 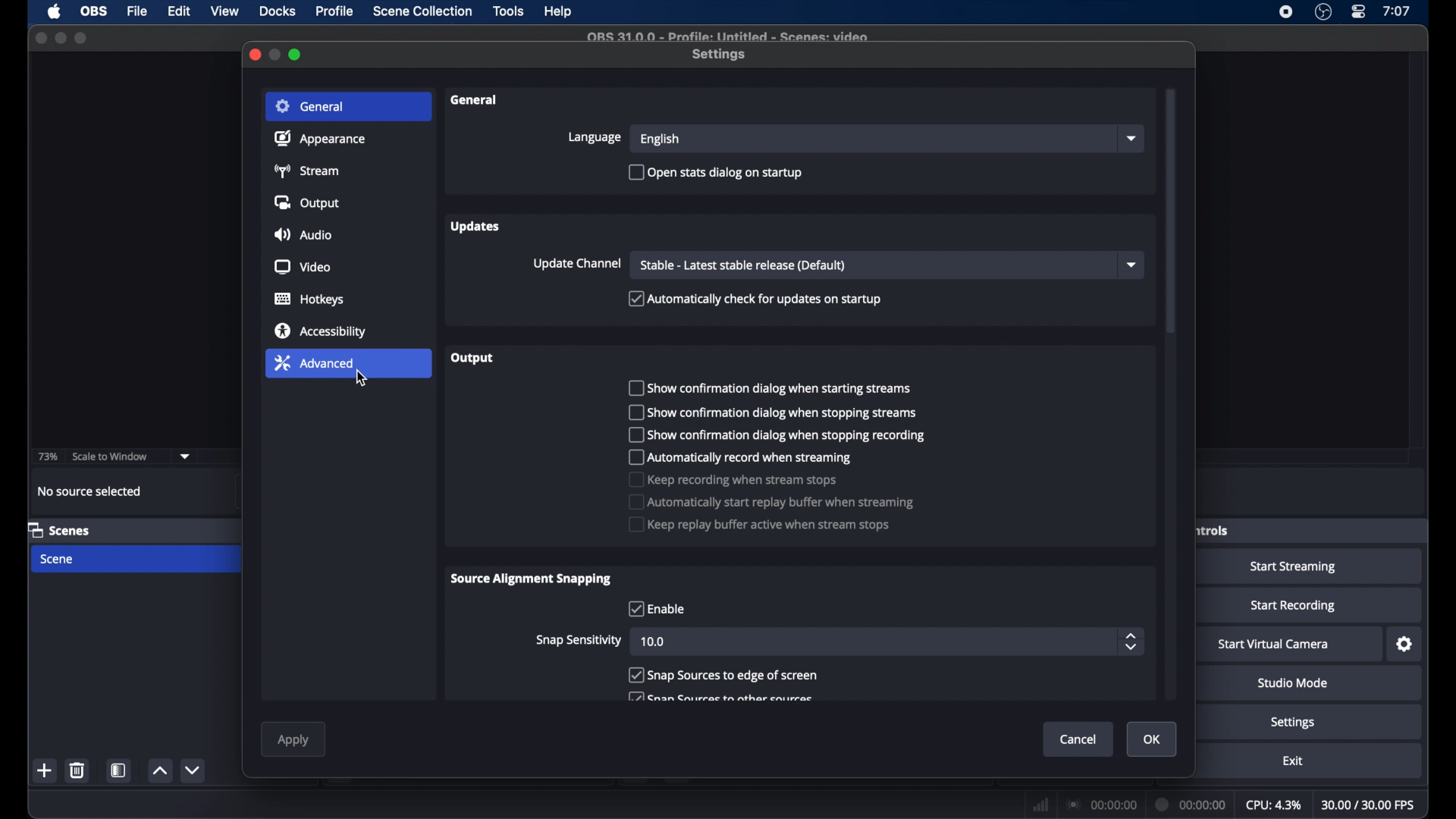 I want to click on fps, so click(x=1369, y=805).